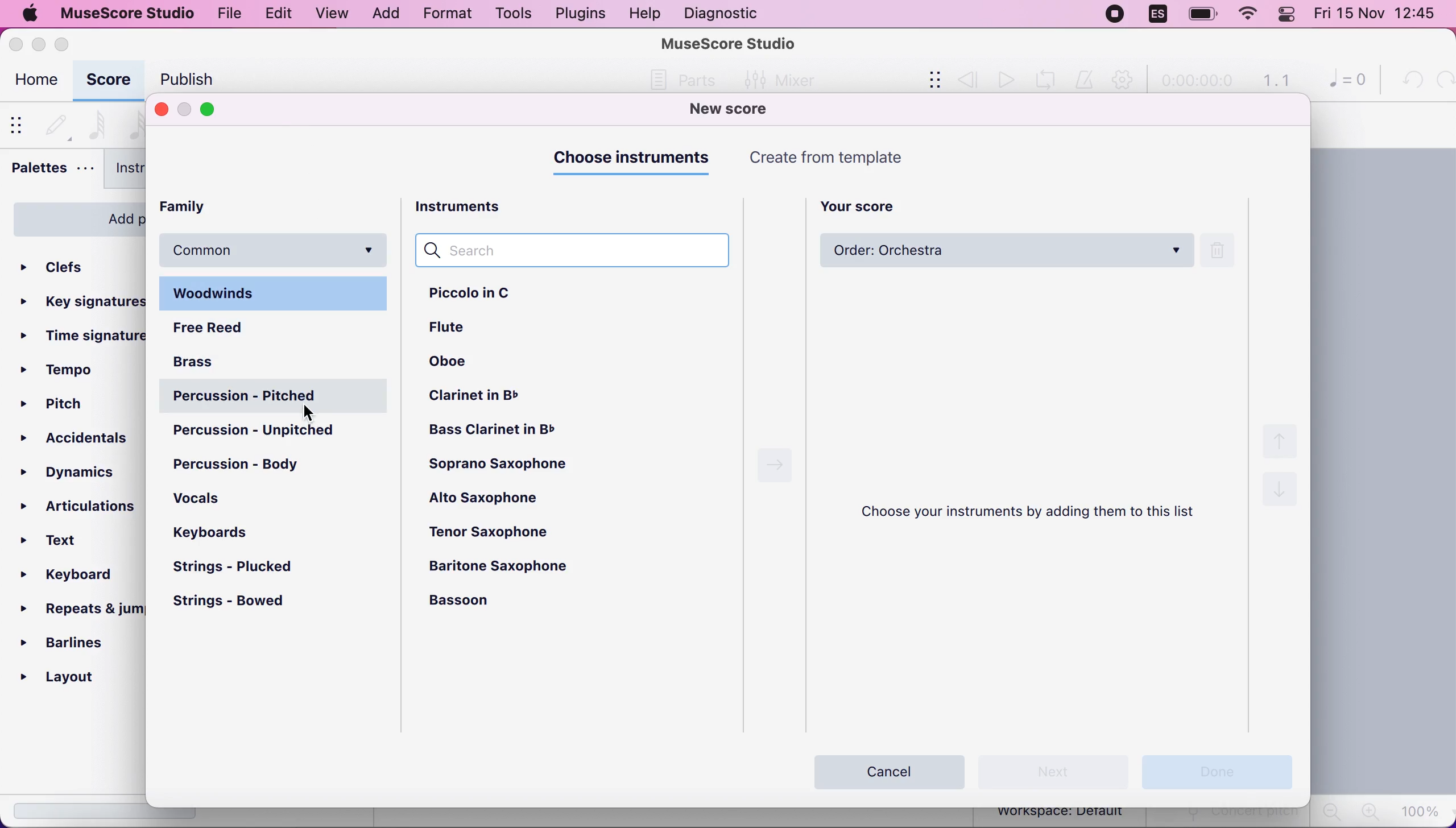 Image resolution: width=1456 pixels, height=828 pixels. What do you see at coordinates (443, 15) in the screenshot?
I see `format` at bounding box center [443, 15].